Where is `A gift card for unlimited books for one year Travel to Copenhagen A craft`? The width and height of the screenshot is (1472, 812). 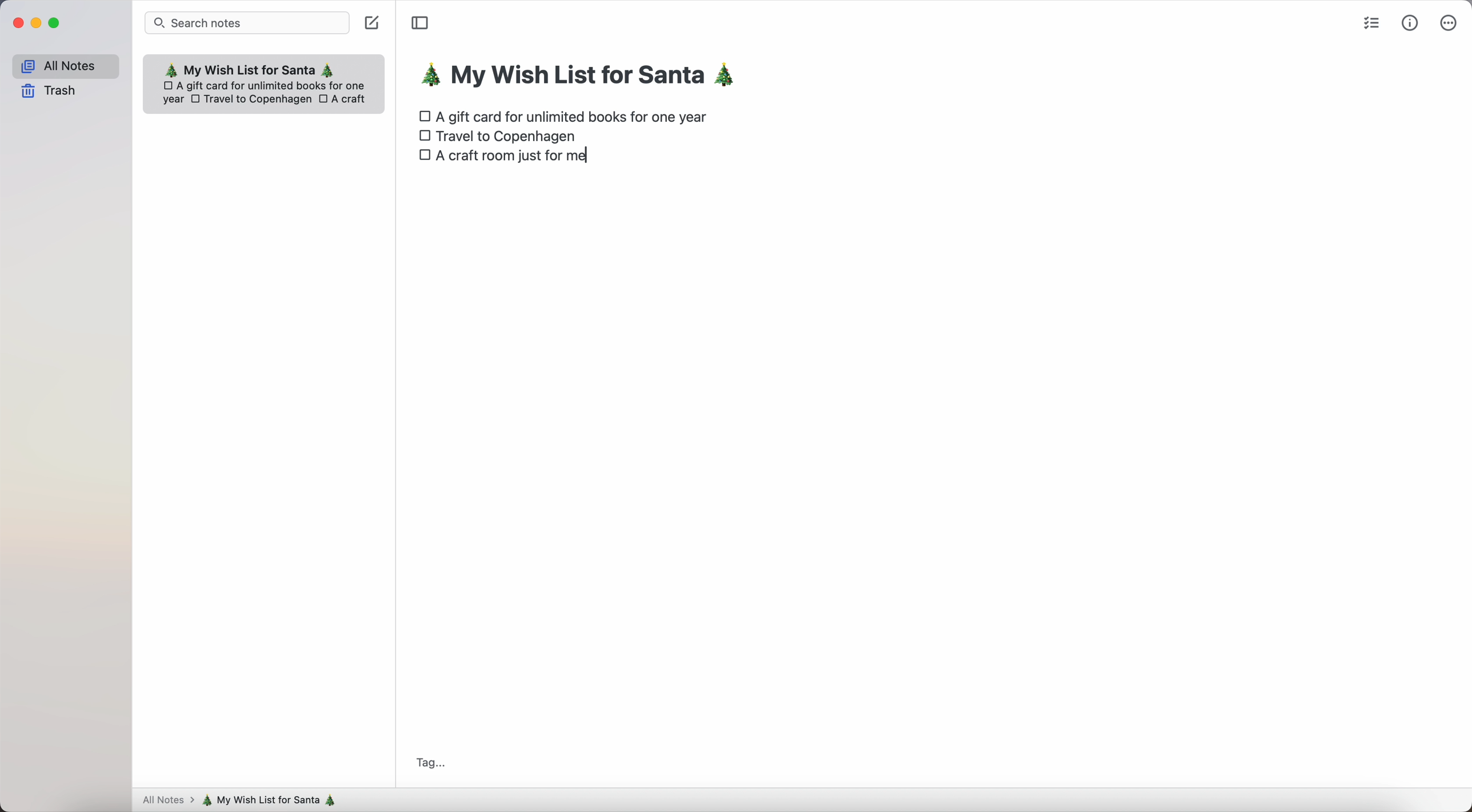 A gift card for unlimited books for one year Travel to Copenhagen A craft is located at coordinates (267, 96).